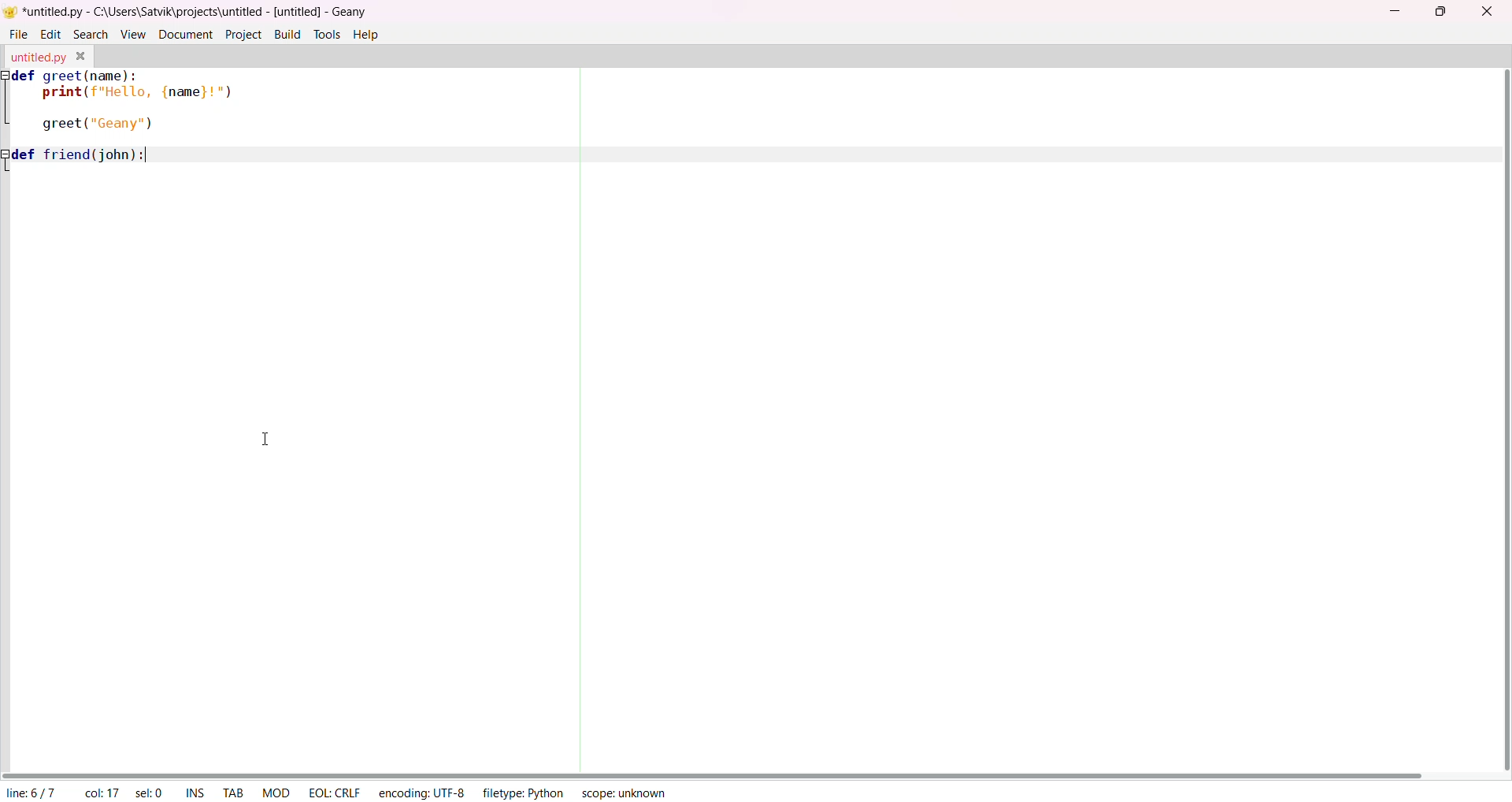 Image resolution: width=1512 pixels, height=802 pixels. I want to click on project, so click(243, 33).